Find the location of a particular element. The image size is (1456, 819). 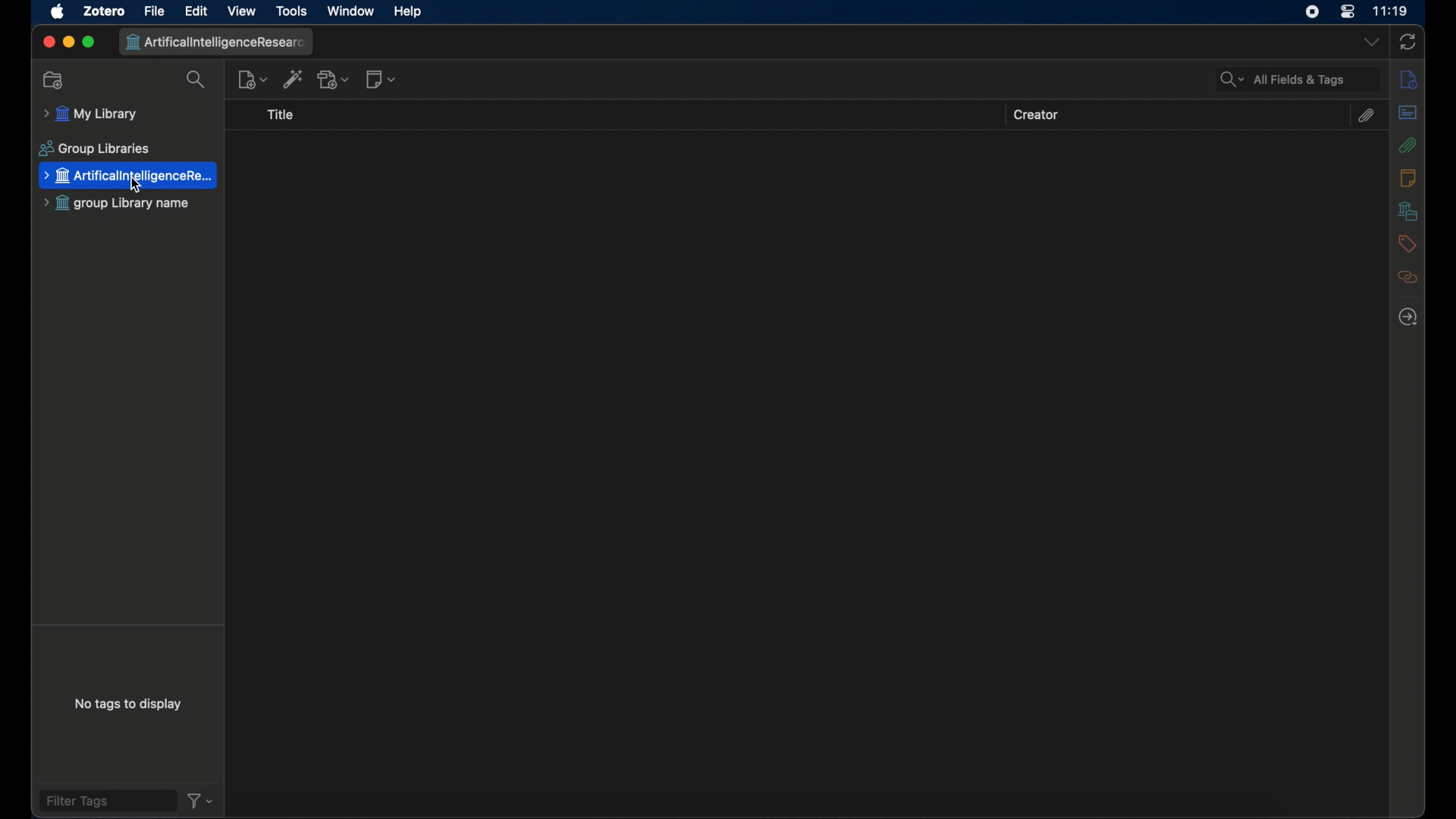

screen recorder is located at coordinates (1312, 12).